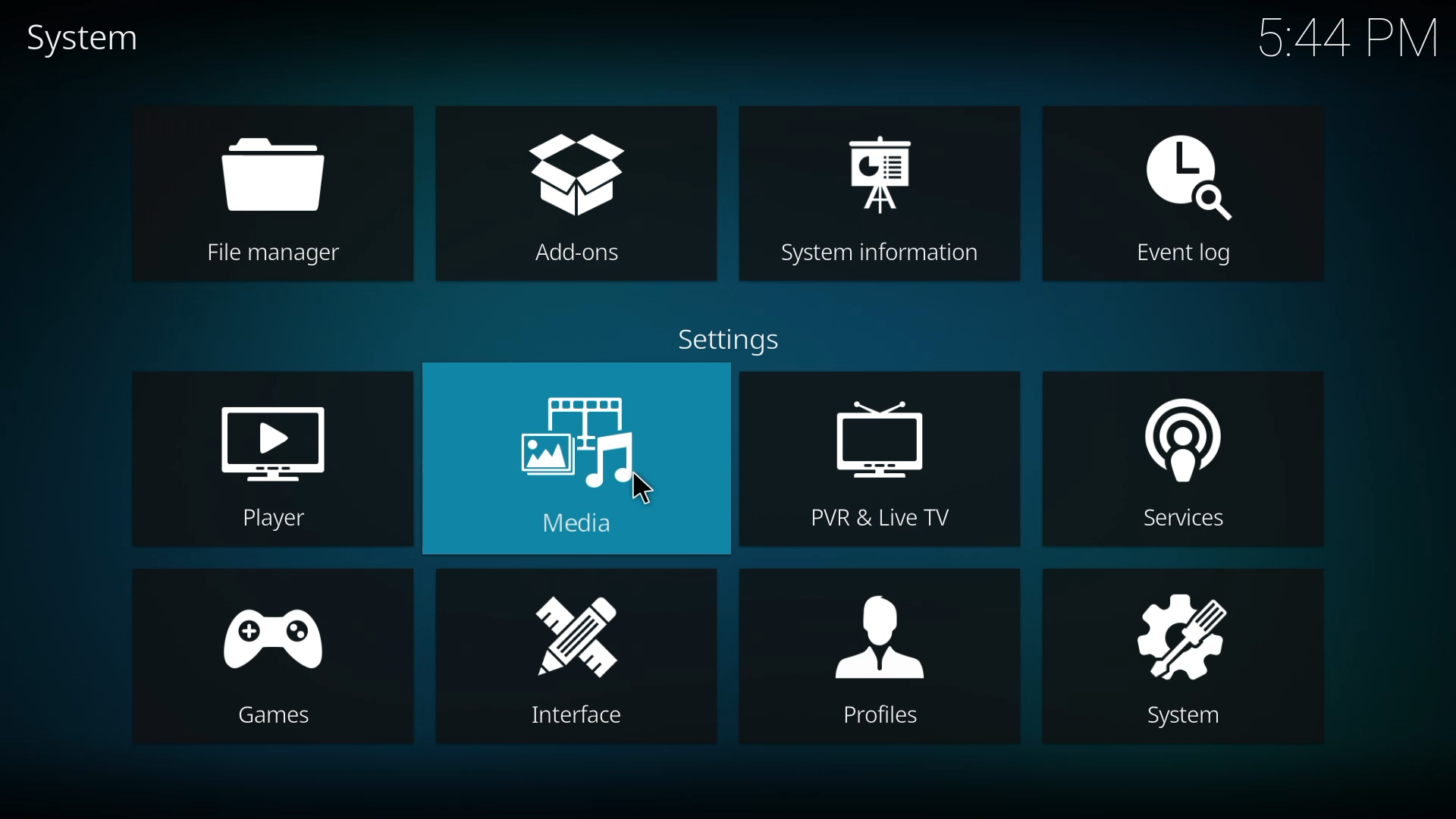 Image resolution: width=1456 pixels, height=819 pixels. What do you see at coordinates (1181, 175) in the screenshot?
I see `event log` at bounding box center [1181, 175].